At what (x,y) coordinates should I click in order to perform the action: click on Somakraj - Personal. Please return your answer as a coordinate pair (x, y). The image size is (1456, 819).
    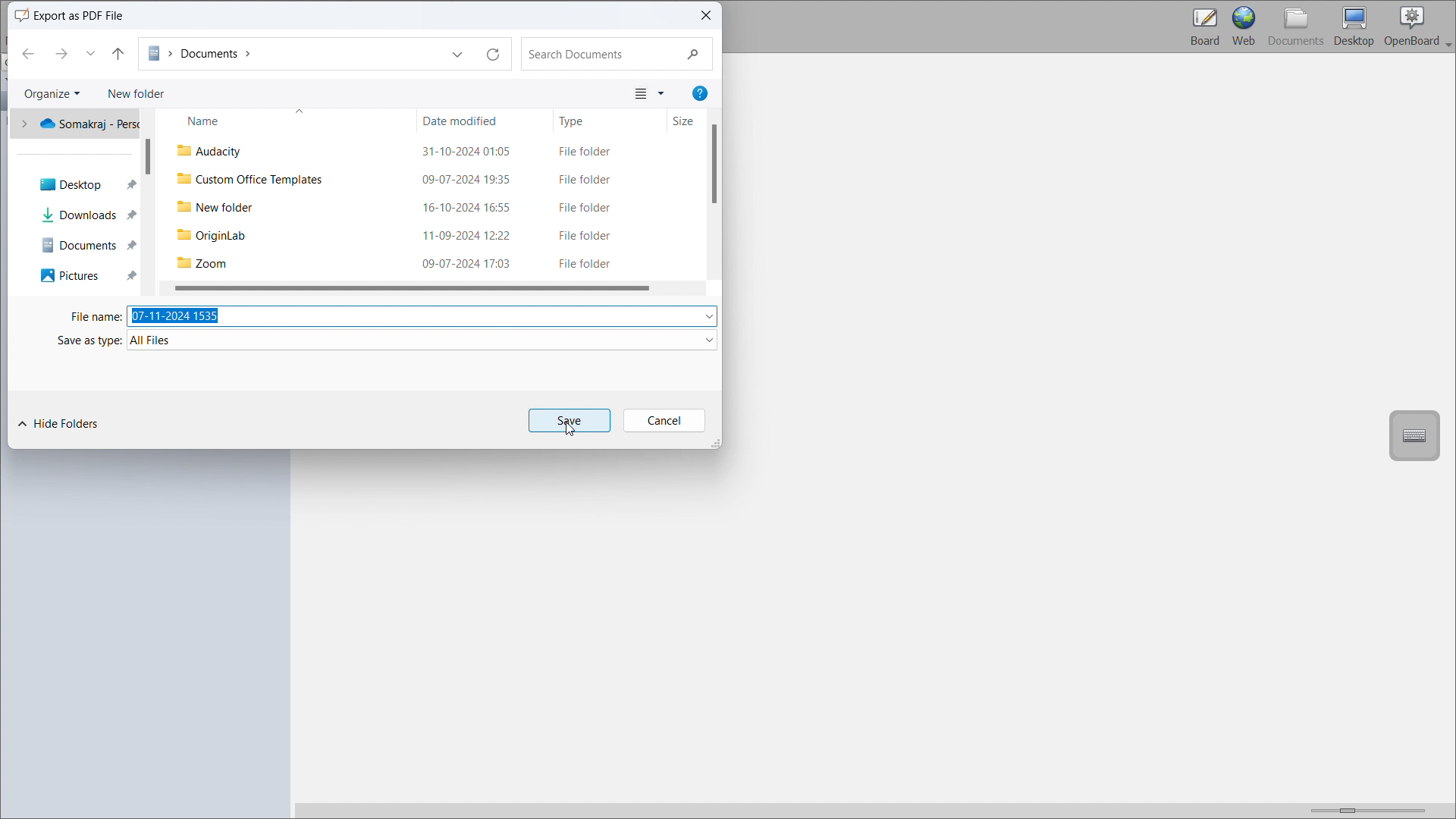
    Looking at the image, I should click on (82, 124).